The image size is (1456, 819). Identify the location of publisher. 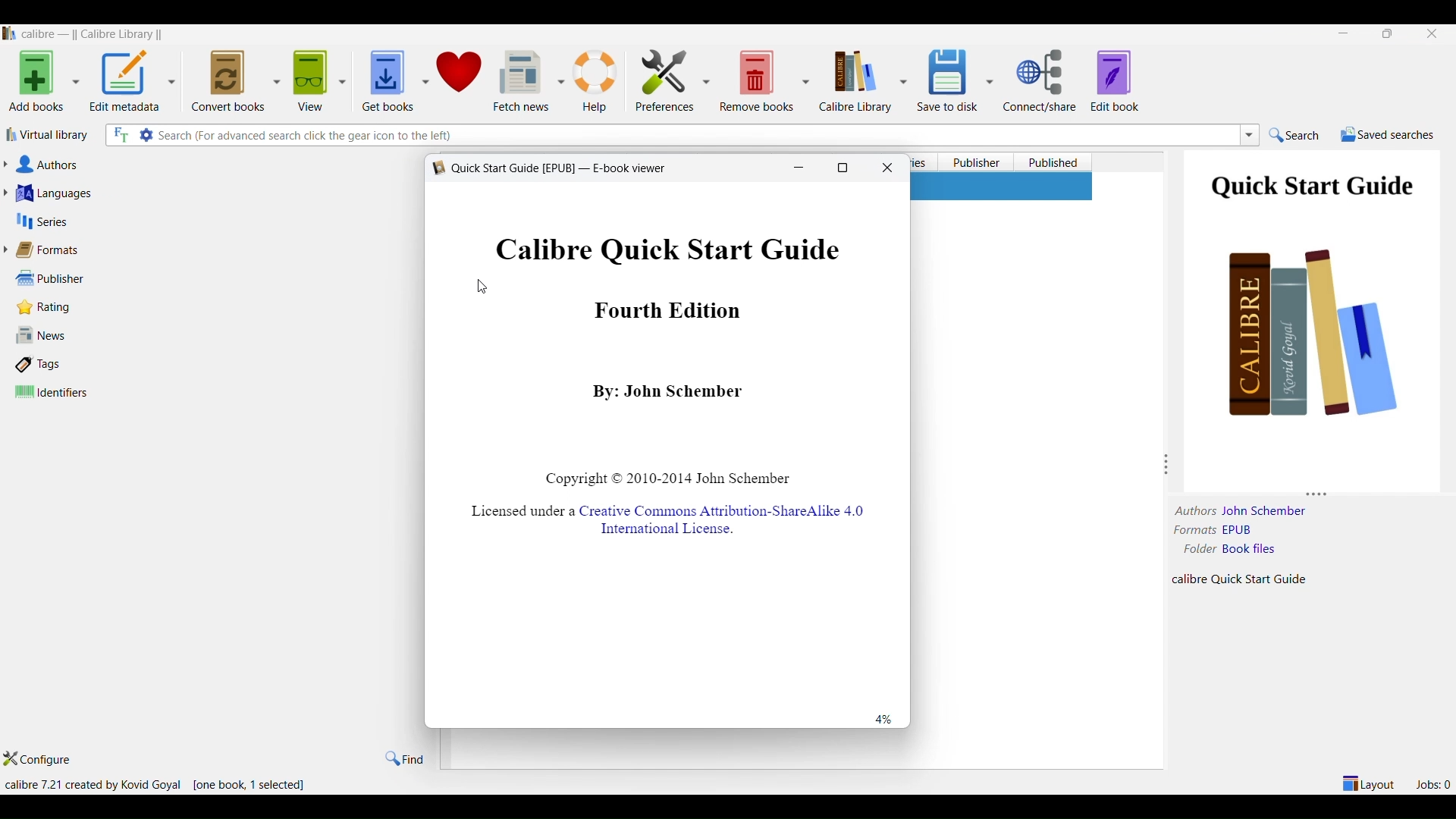
(976, 161).